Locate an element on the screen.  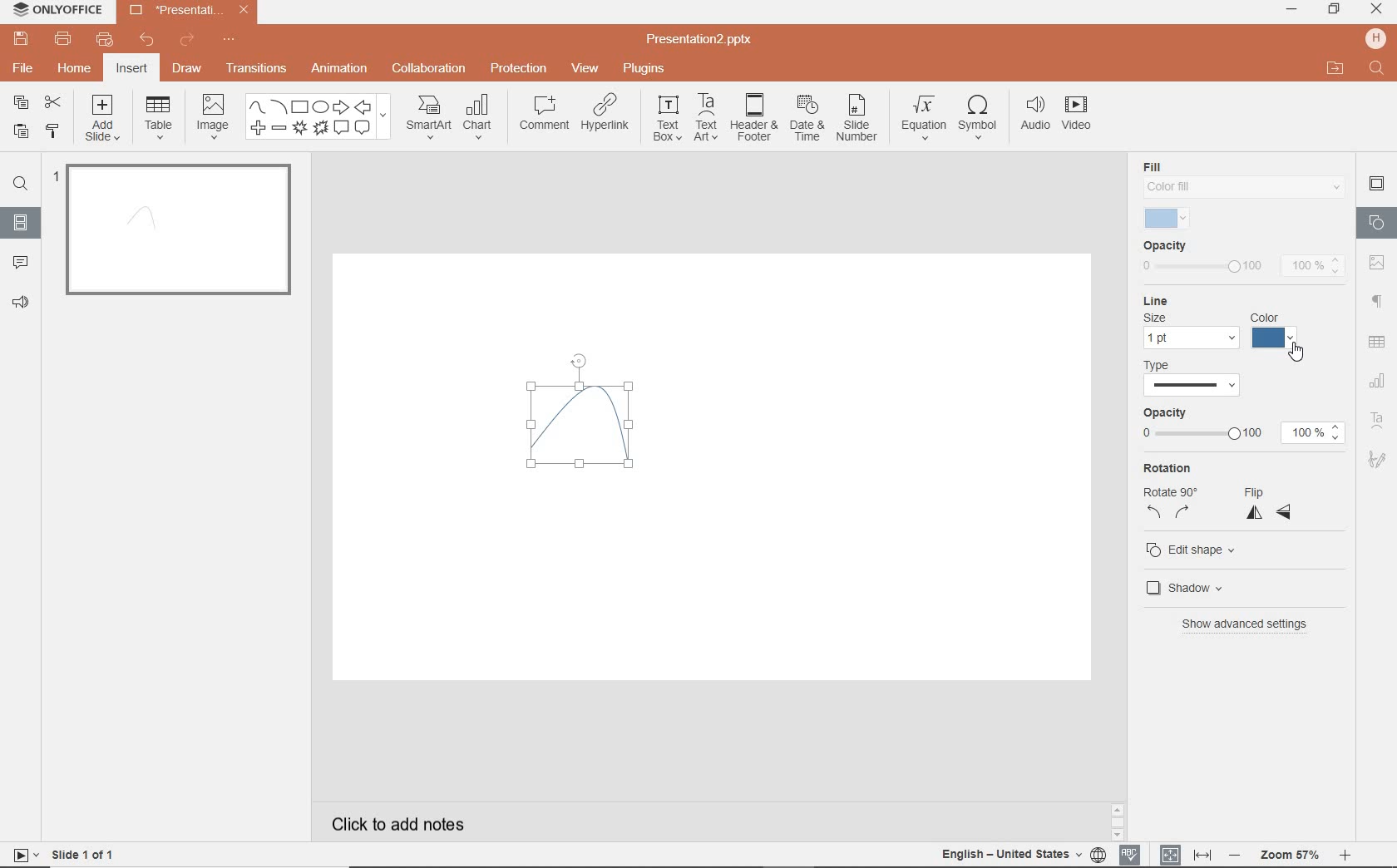
HOME is located at coordinates (73, 70).